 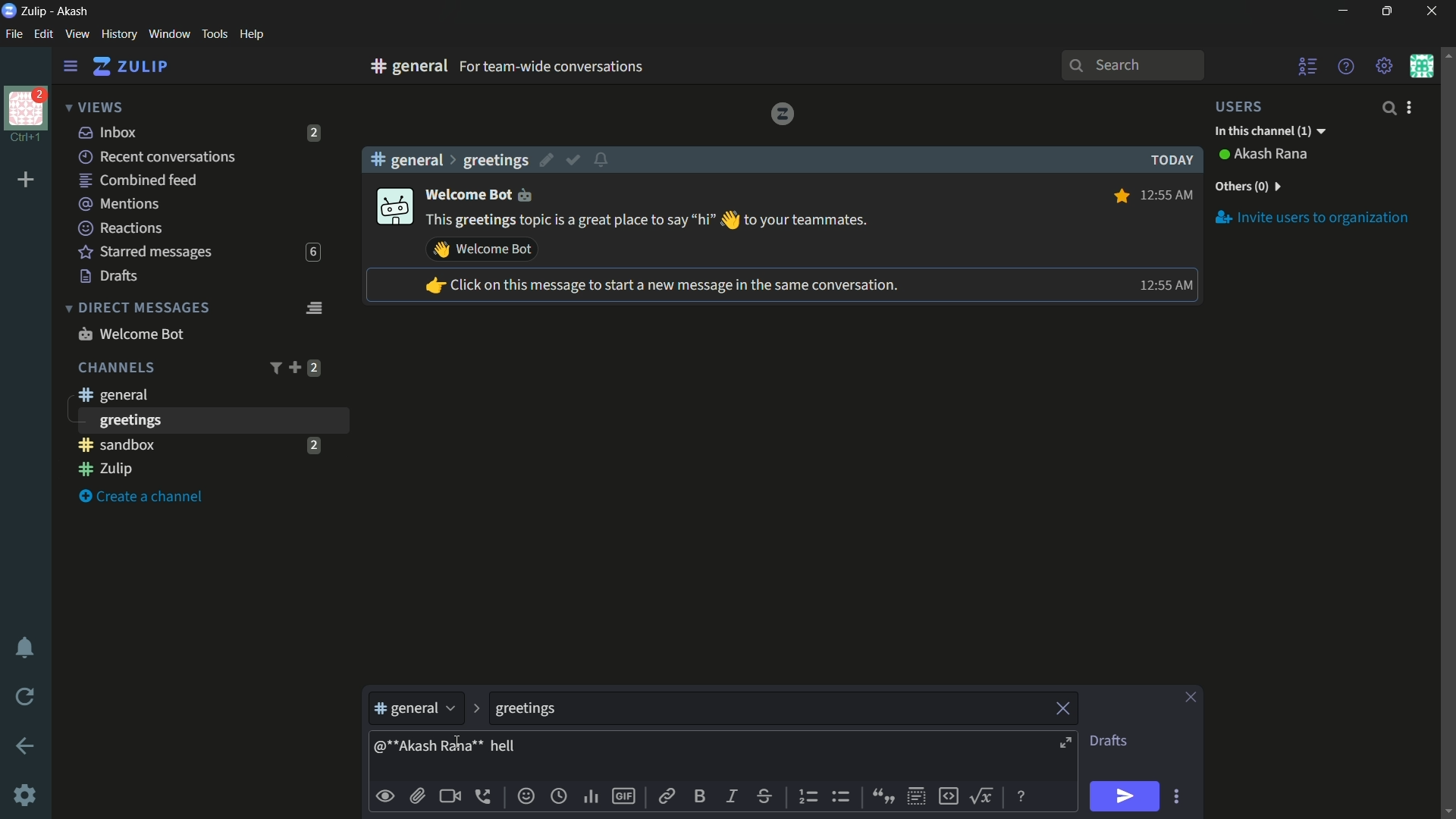 I want to click on Settings, so click(x=25, y=795).